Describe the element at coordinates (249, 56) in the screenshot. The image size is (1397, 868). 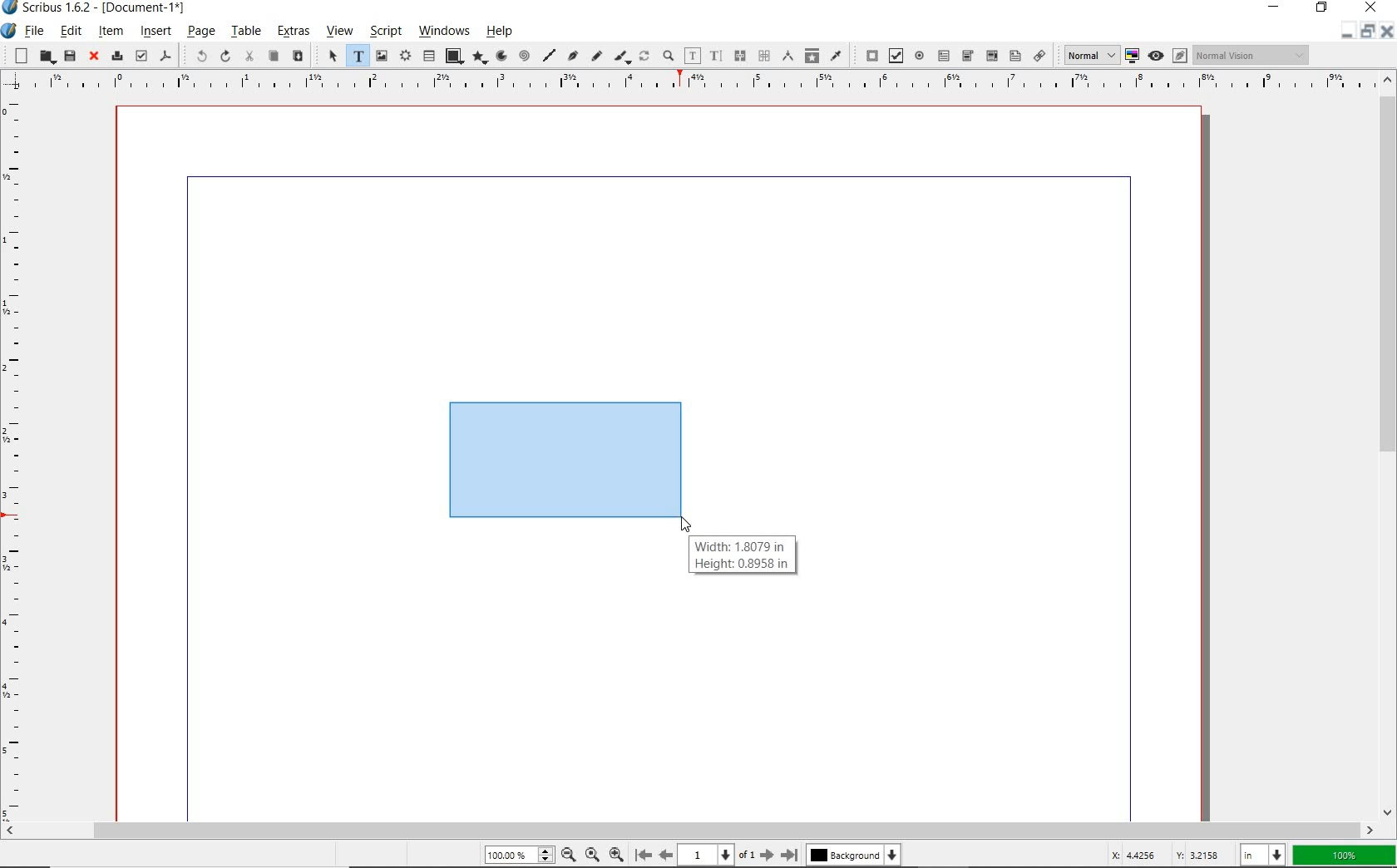
I see `cut` at that location.